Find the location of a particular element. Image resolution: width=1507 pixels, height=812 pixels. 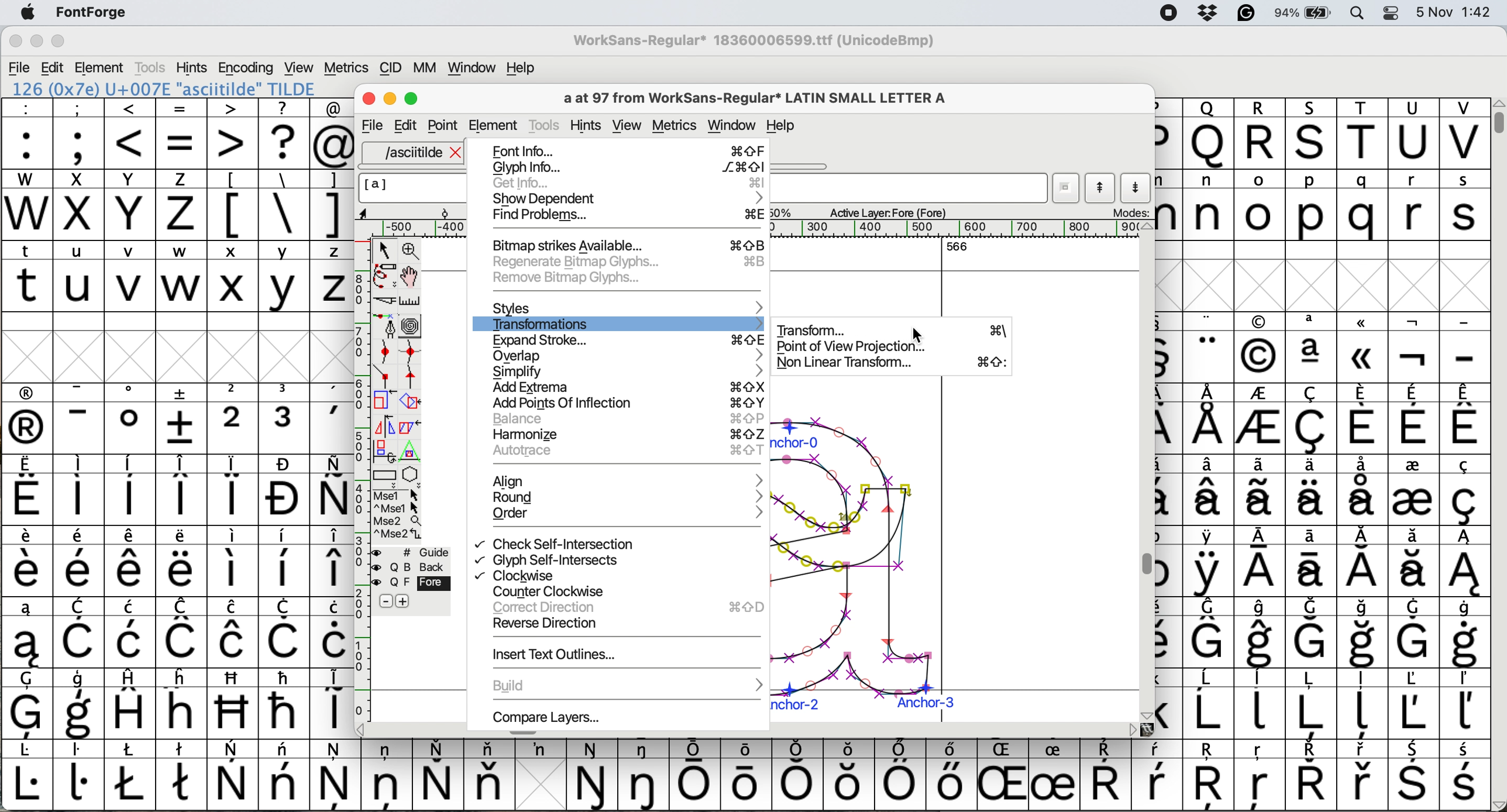

 is located at coordinates (1313, 133).